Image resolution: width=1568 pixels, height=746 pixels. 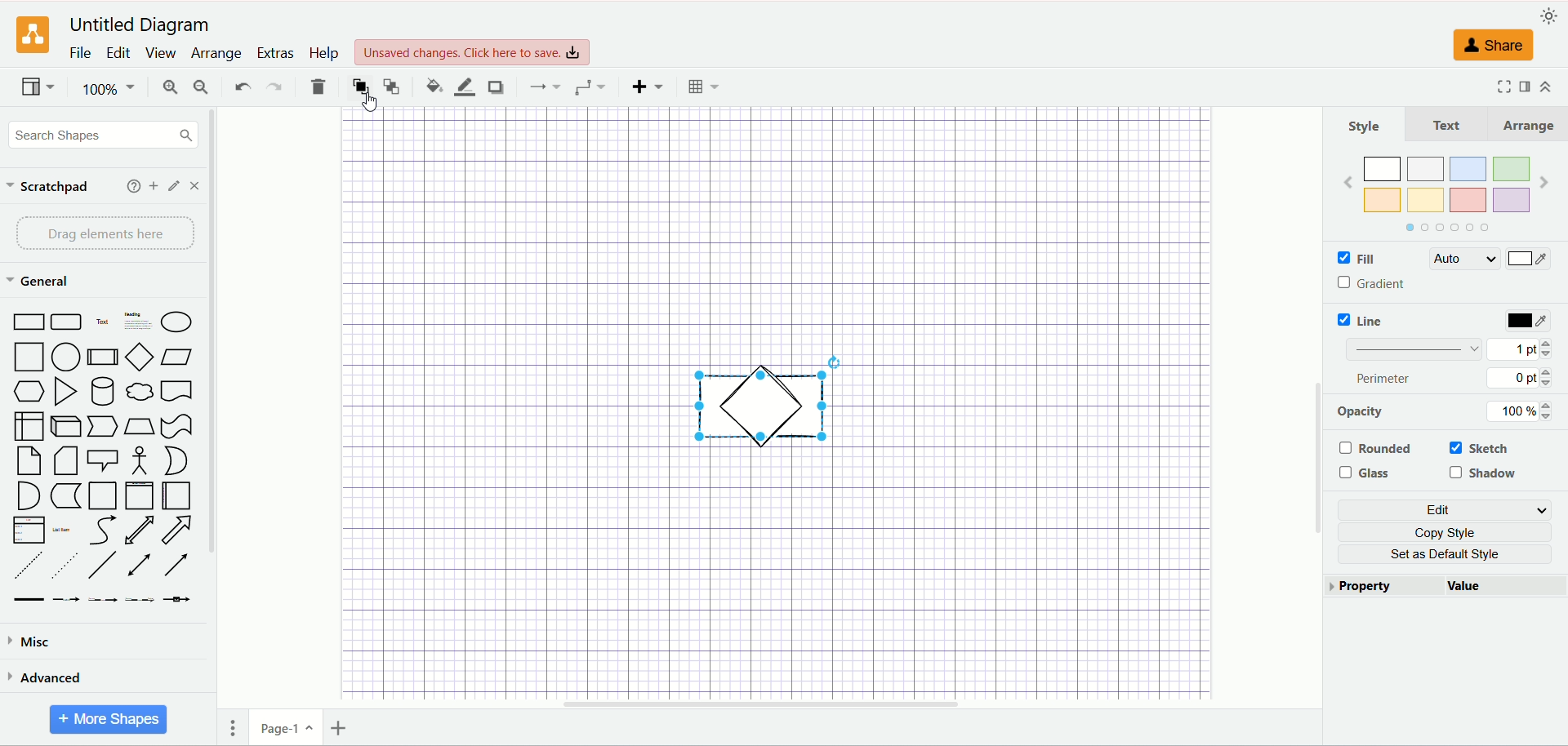 What do you see at coordinates (103, 135) in the screenshot?
I see `search shapes` at bounding box center [103, 135].